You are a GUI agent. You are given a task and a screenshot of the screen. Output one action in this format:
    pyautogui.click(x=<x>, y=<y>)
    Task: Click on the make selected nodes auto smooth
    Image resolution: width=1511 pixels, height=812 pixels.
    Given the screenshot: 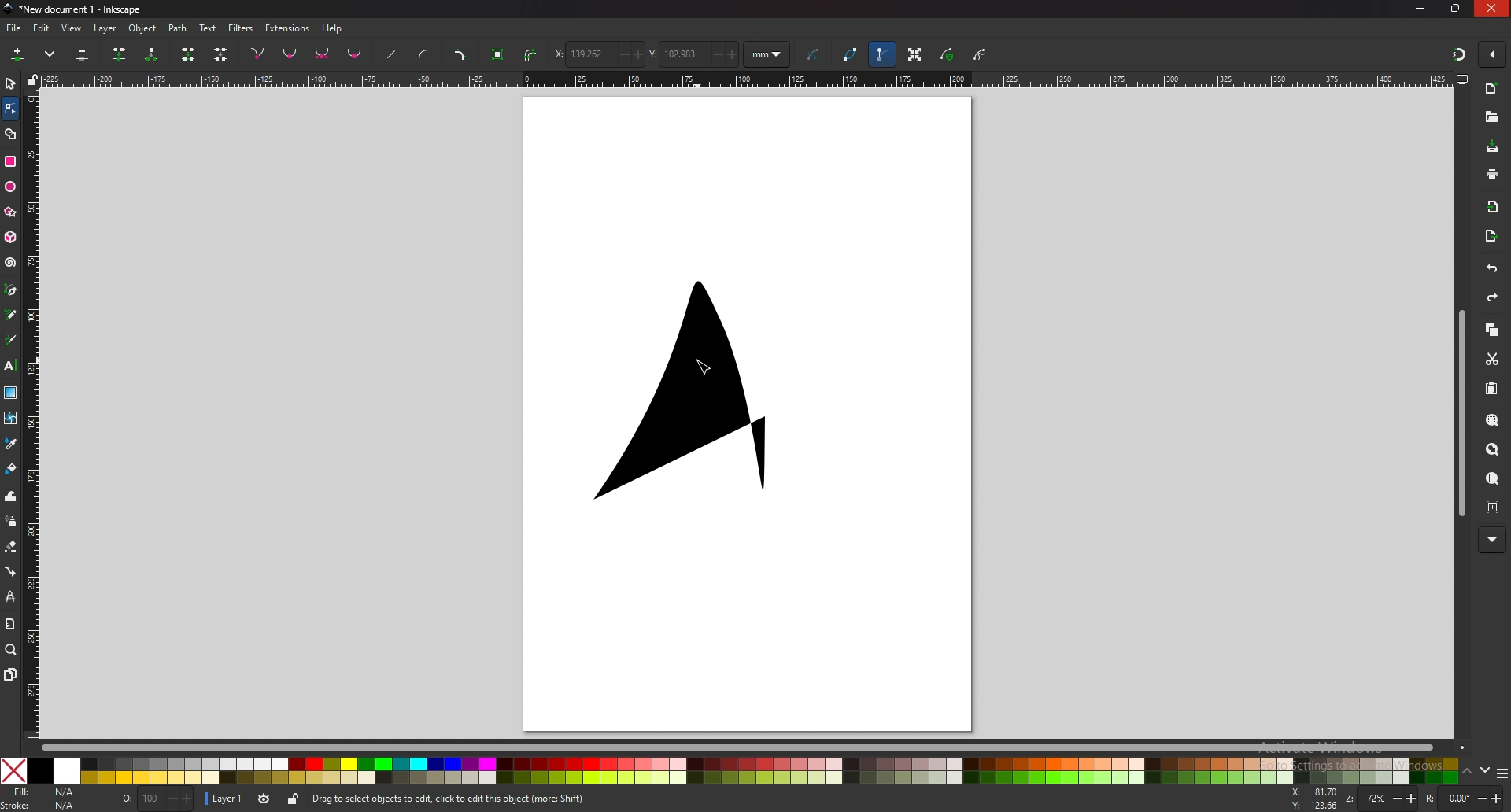 What is the action you would take?
    pyautogui.click(x=355, y=55)
    